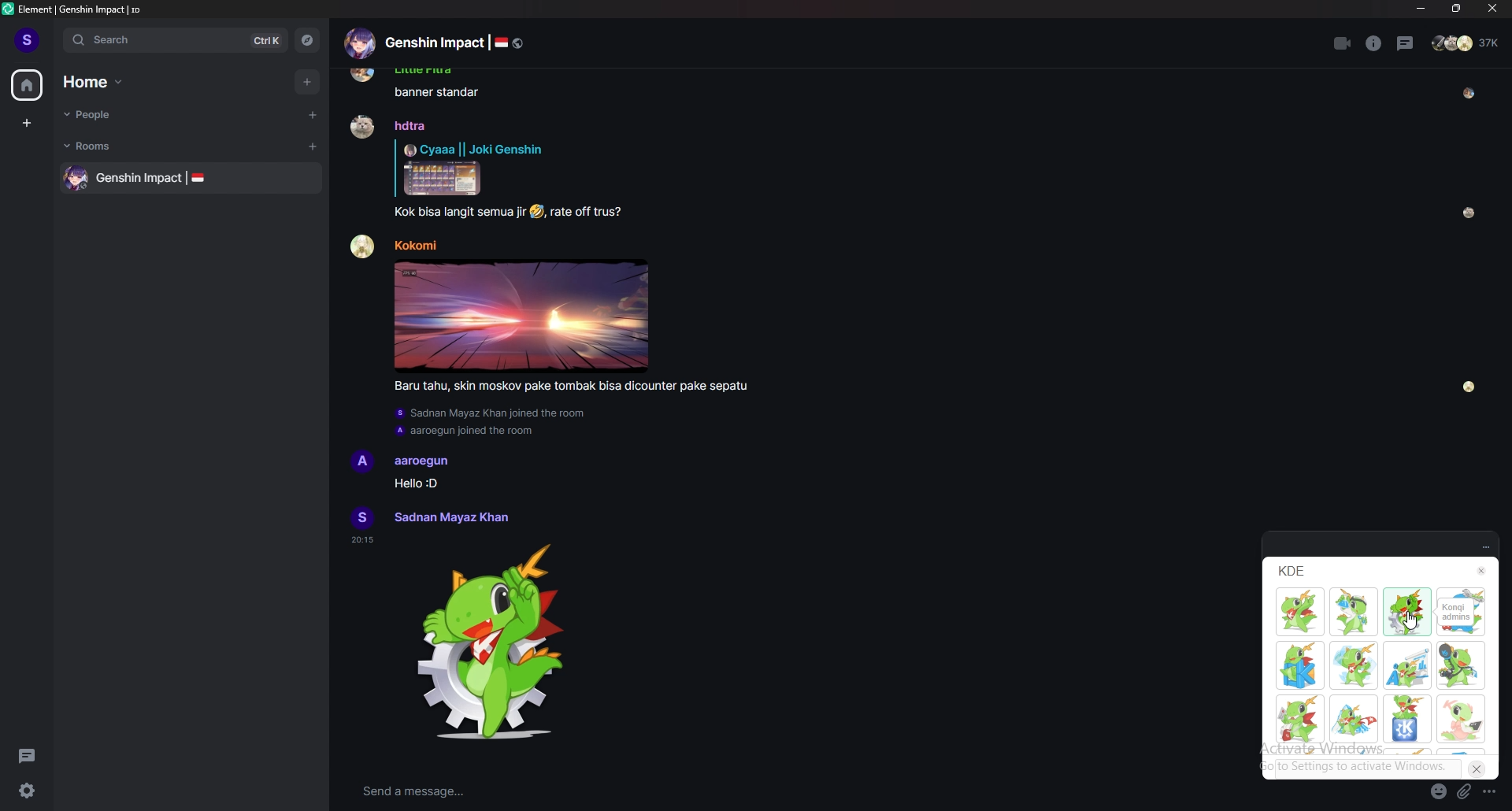  I want to click on more options, so click(1491, 791).